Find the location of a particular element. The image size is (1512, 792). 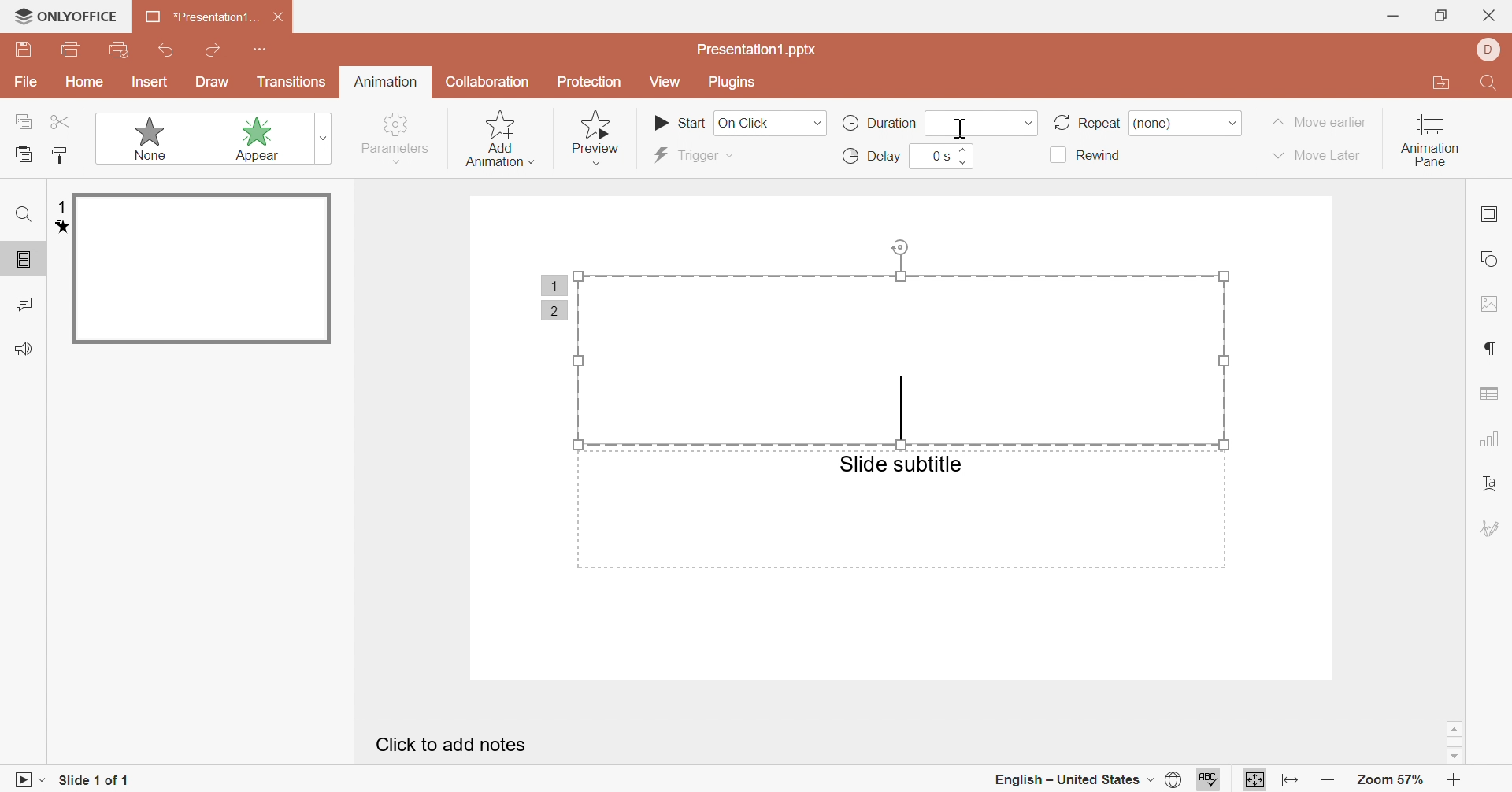

zoom 57% is located at coordinates (1392, 780).